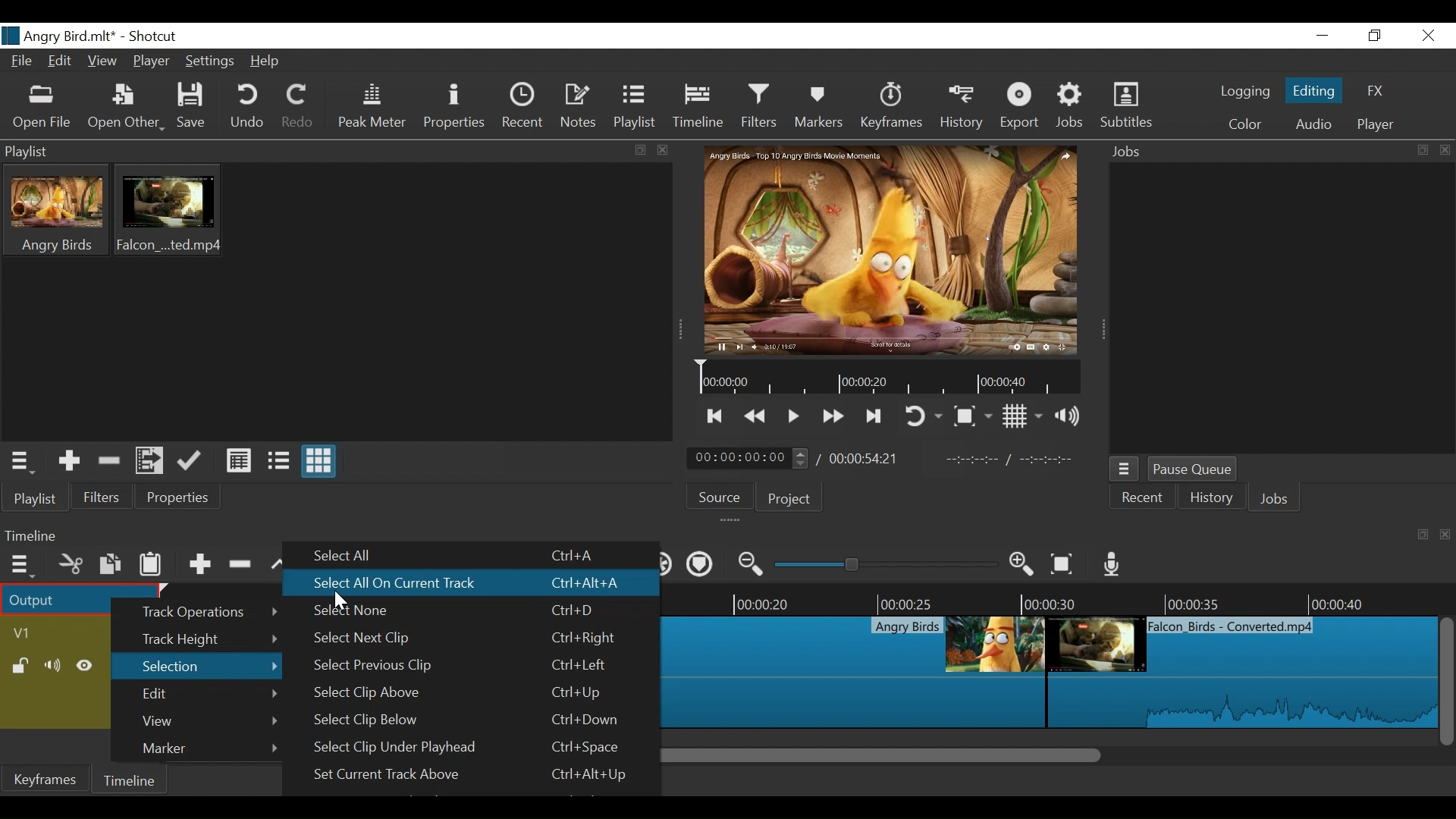  I want to click on Track Header, so click(28, 634).